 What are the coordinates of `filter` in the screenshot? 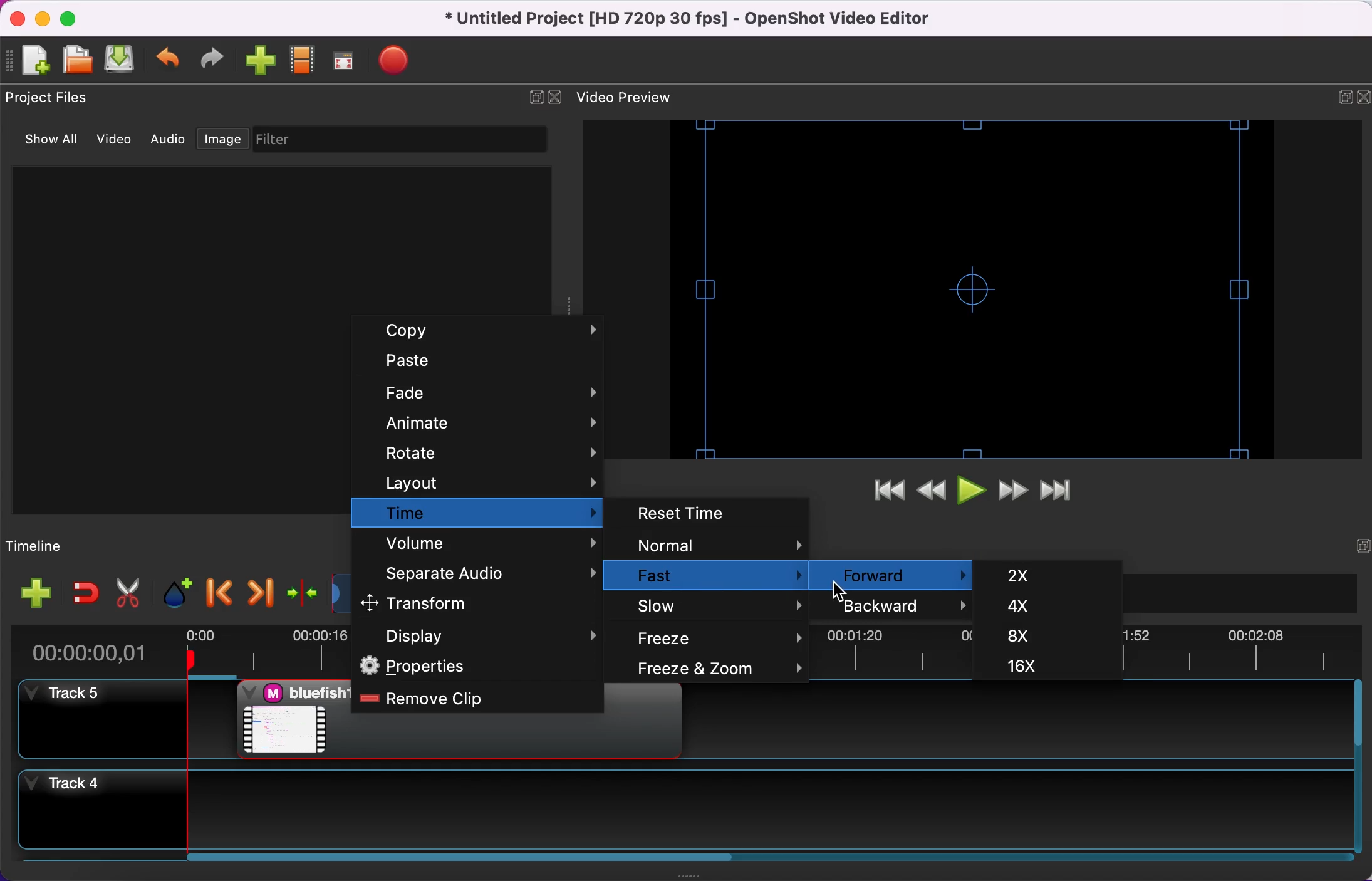 It's located at (397, 140).